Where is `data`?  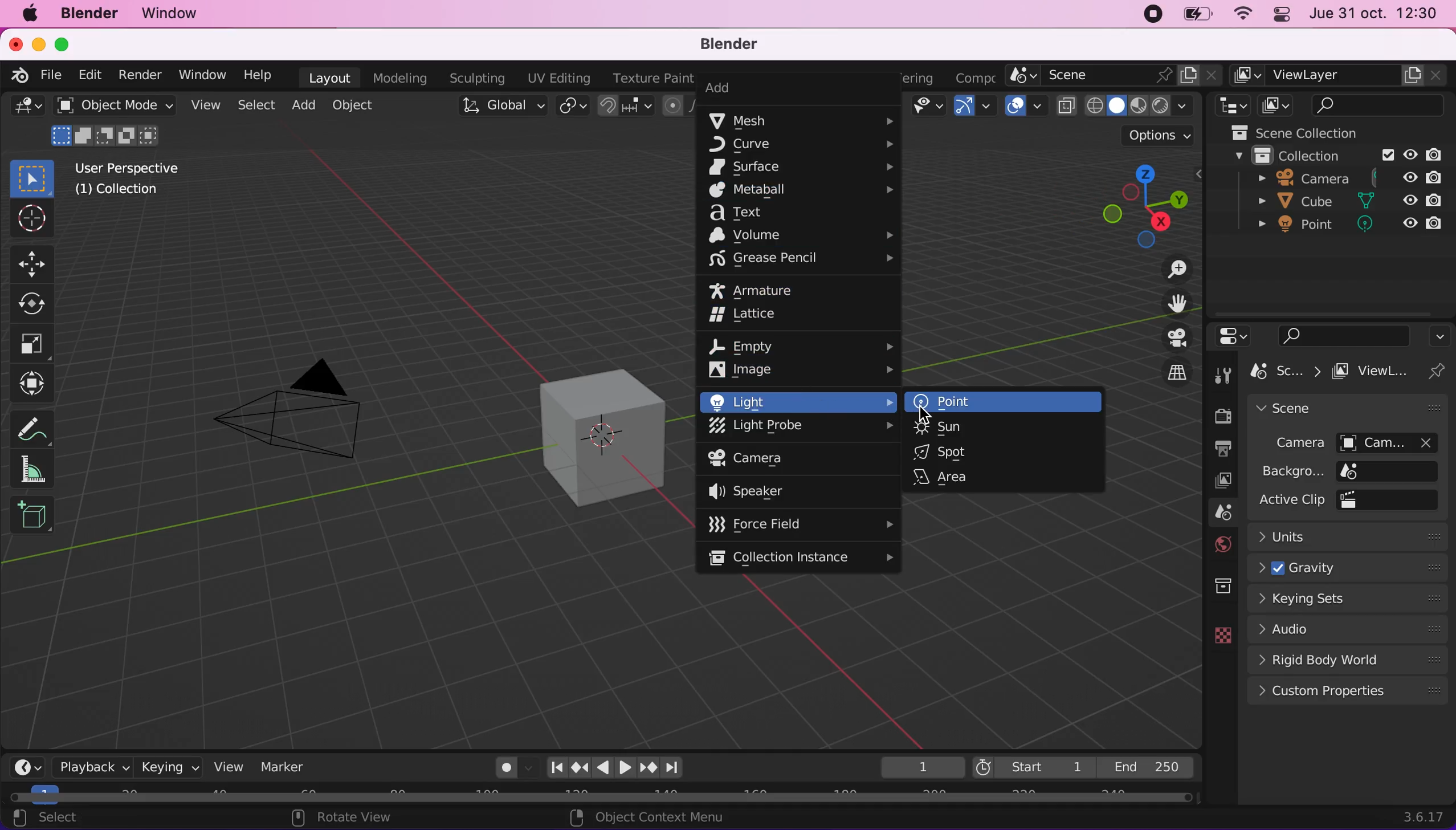
data is located at coordinates (1216, 634).